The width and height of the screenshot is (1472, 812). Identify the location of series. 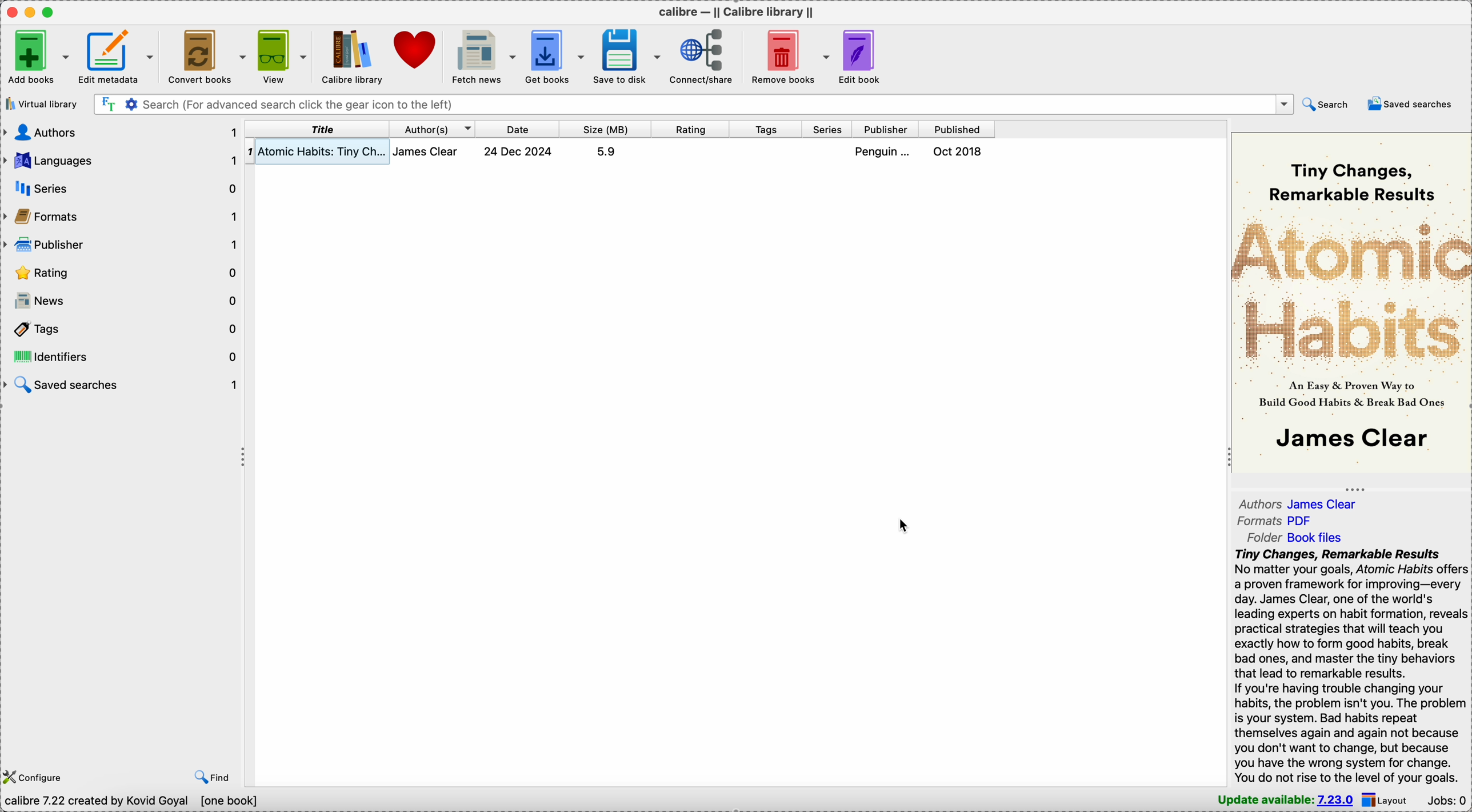
(127, 188).